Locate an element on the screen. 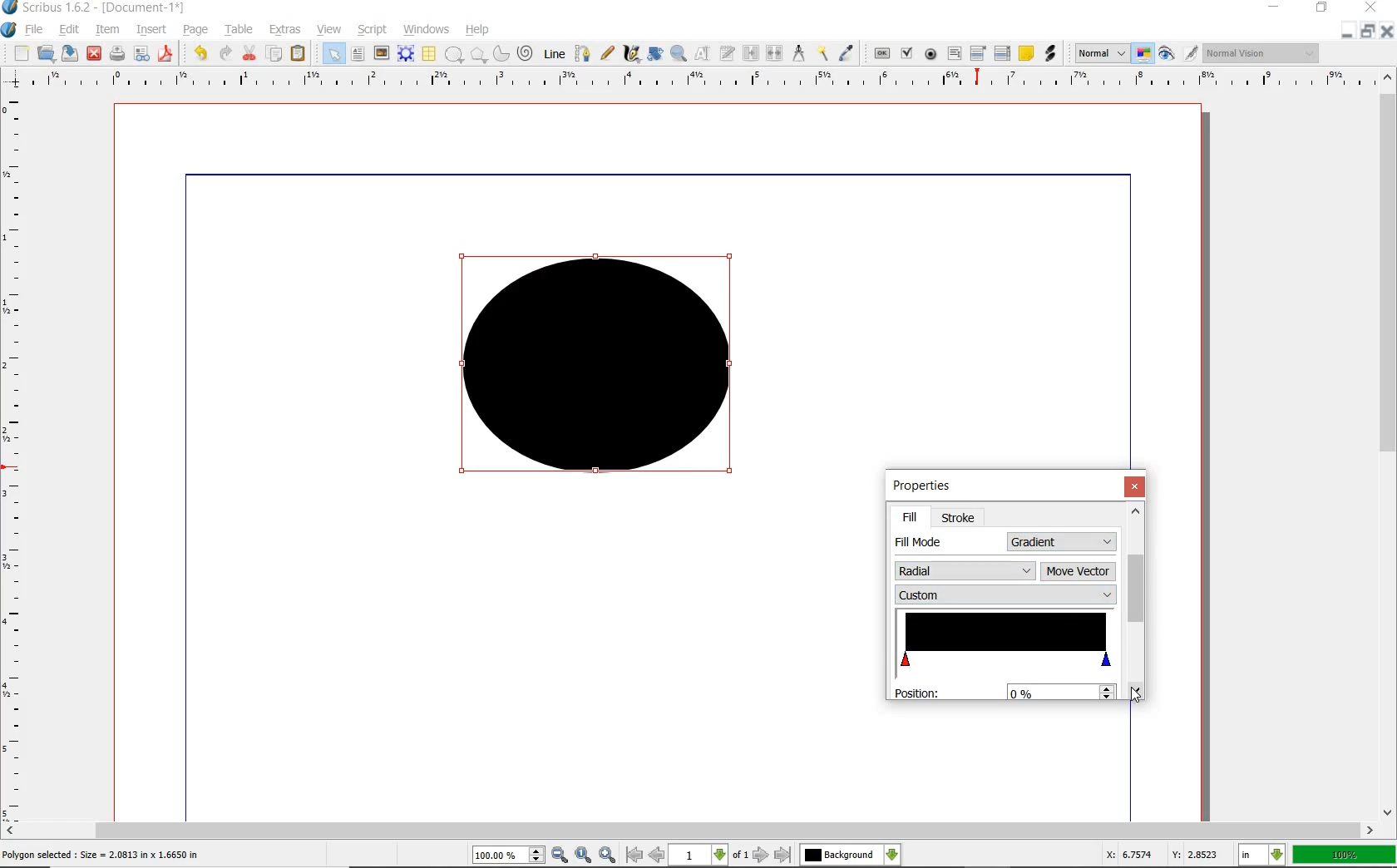  SAVE is located at coordinates (70, 53).